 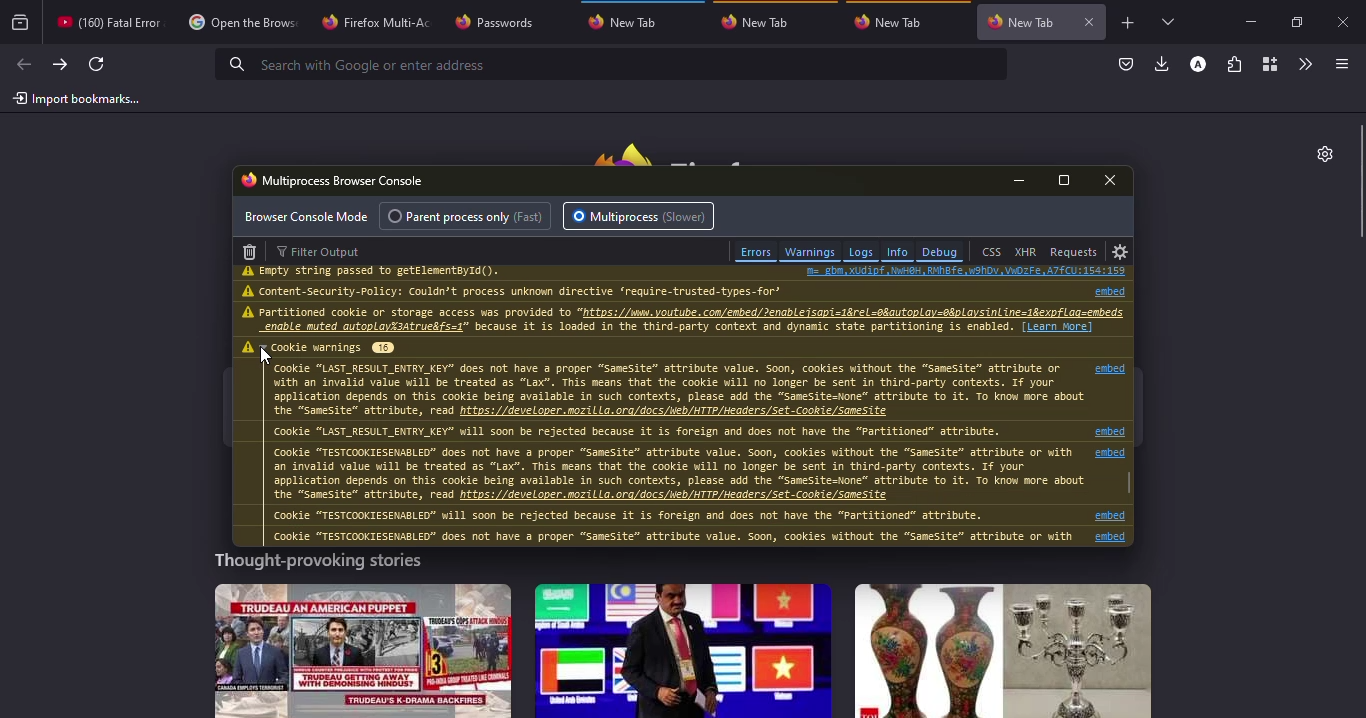 I want to click on save to pocket, so click(x=1124, y=64).